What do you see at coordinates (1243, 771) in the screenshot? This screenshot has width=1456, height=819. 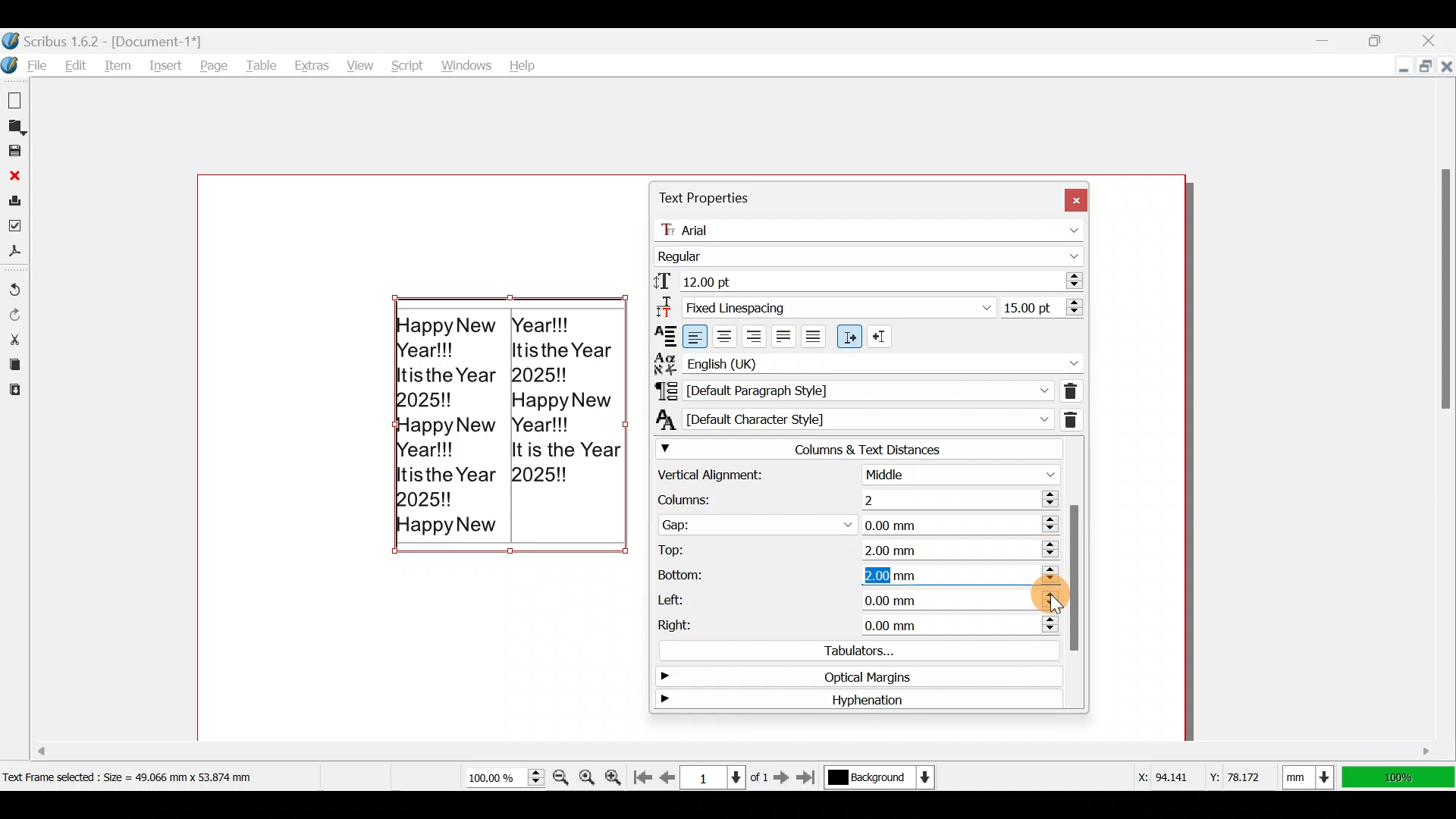 I see `Y-axis dimension values` at bounding box center [1243, 771].